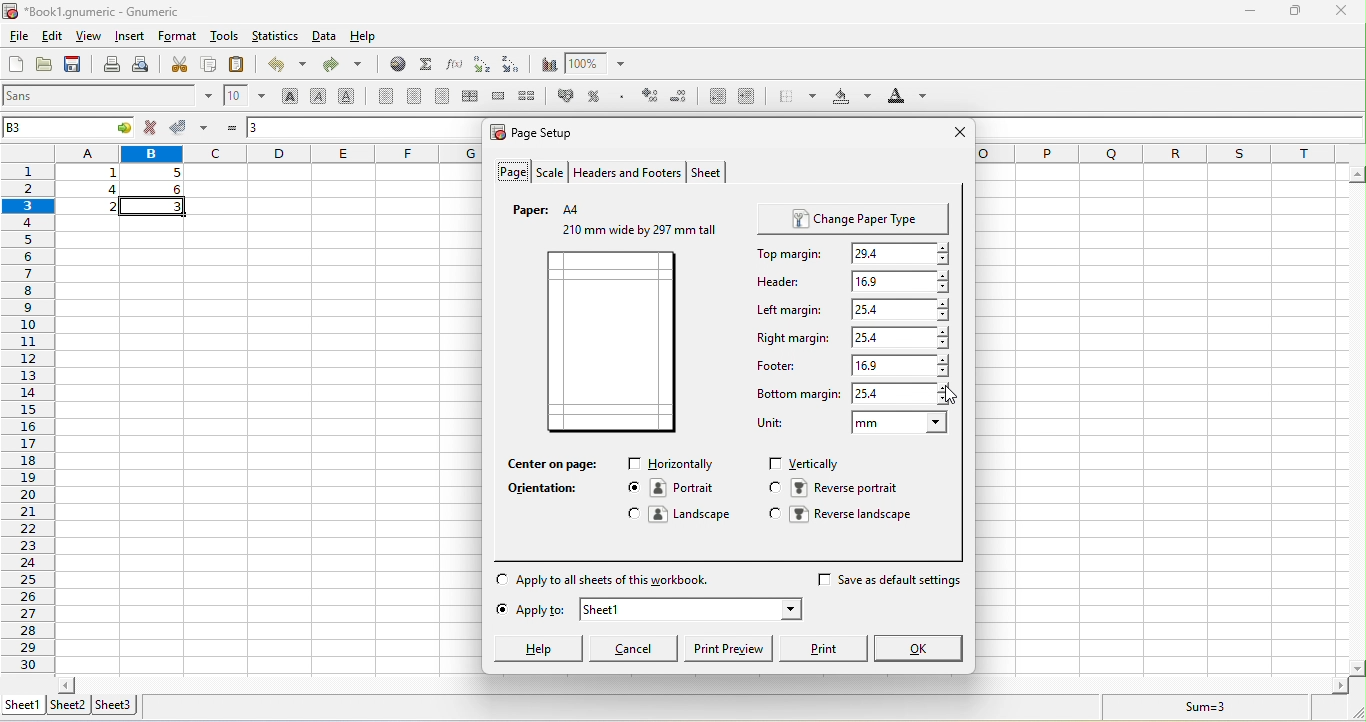 The height and width of the screenshot is (722, 1366). What do you see at coordinates (850, 98) in the screenshot?
I see `background` at bounding box center [850, 98].